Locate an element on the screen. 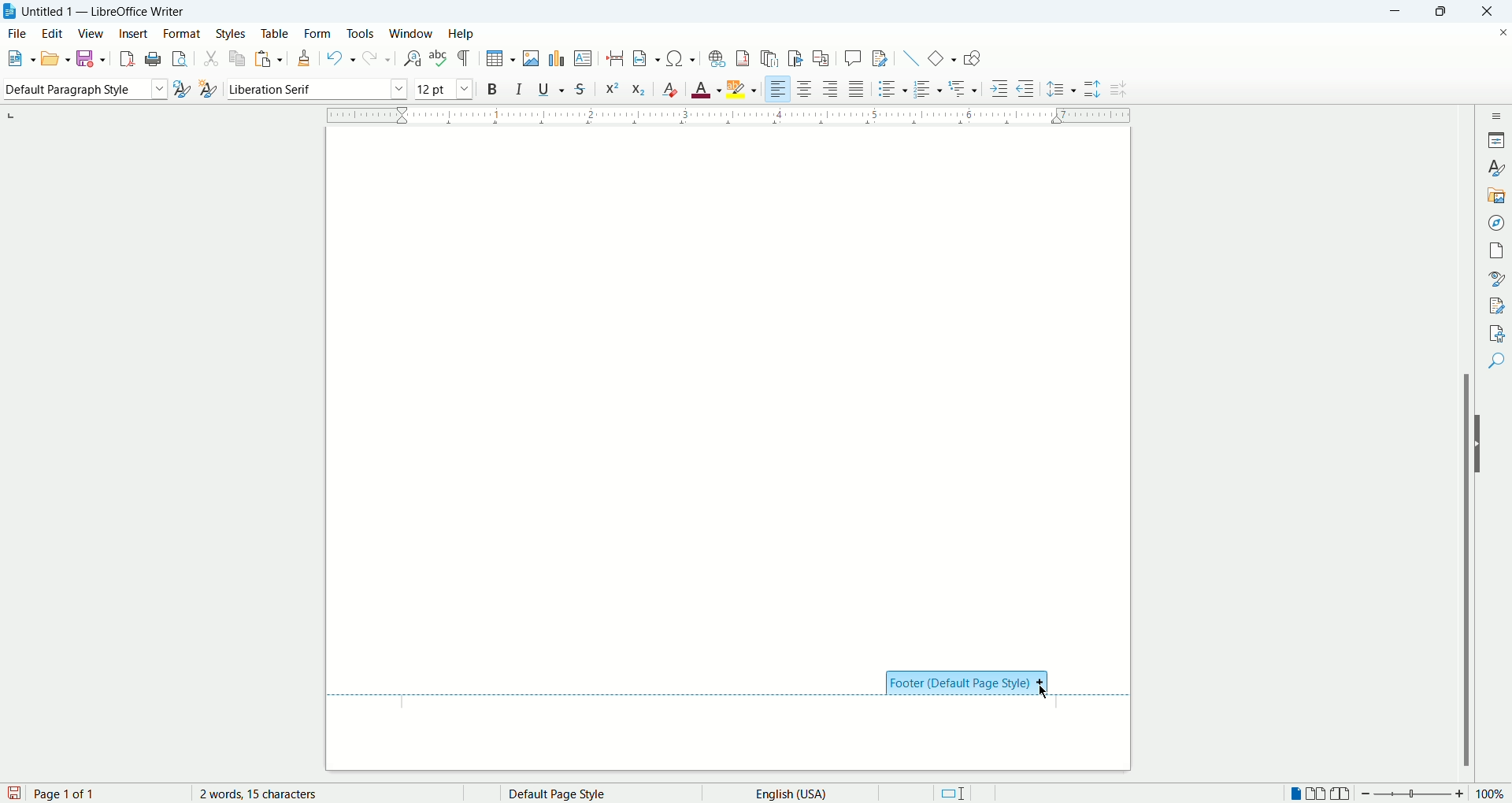  help is located at coordinates (461, 34).